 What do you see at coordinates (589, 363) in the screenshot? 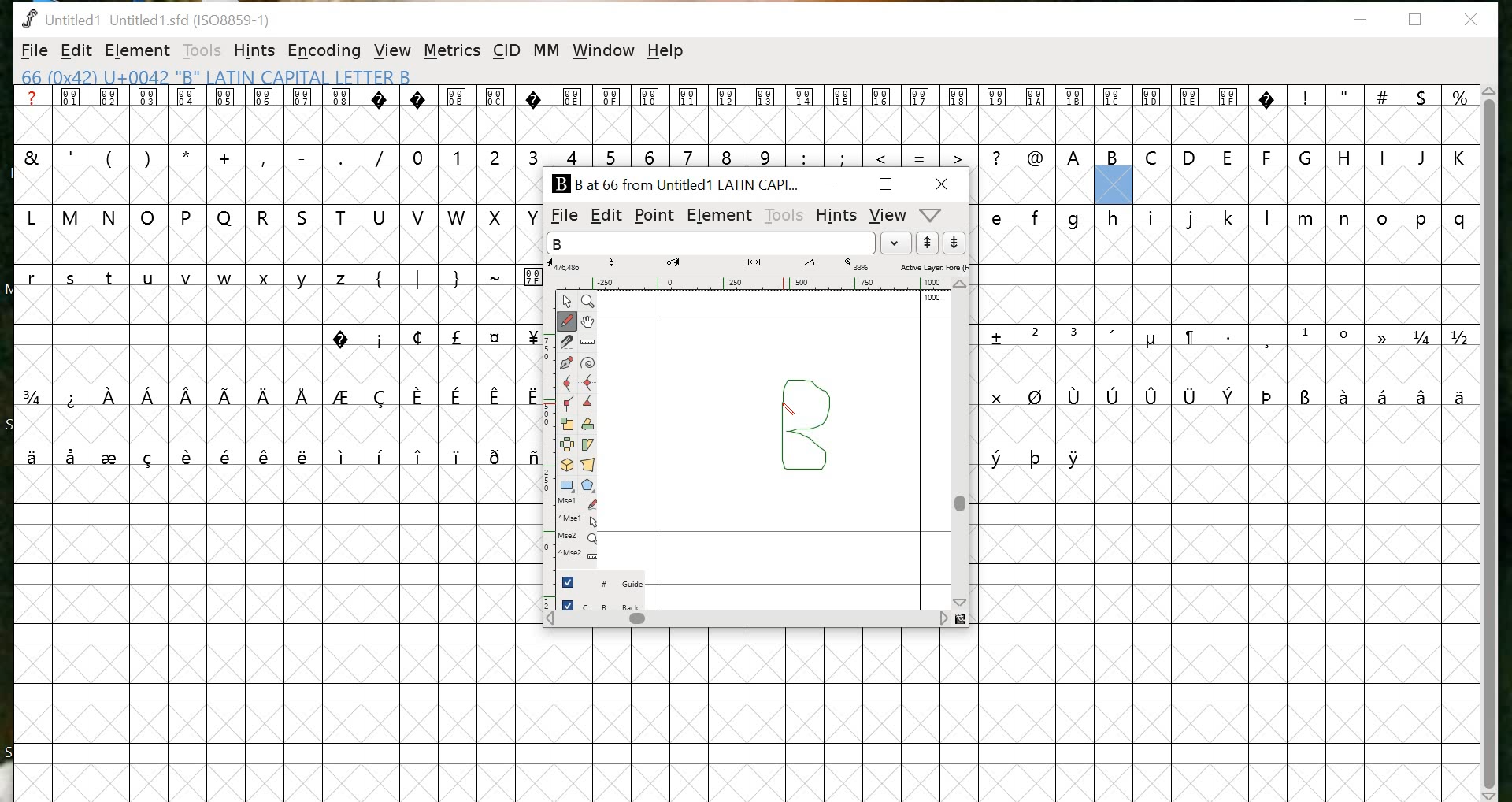
I see `Spiro` at bounding box center [589, 363].